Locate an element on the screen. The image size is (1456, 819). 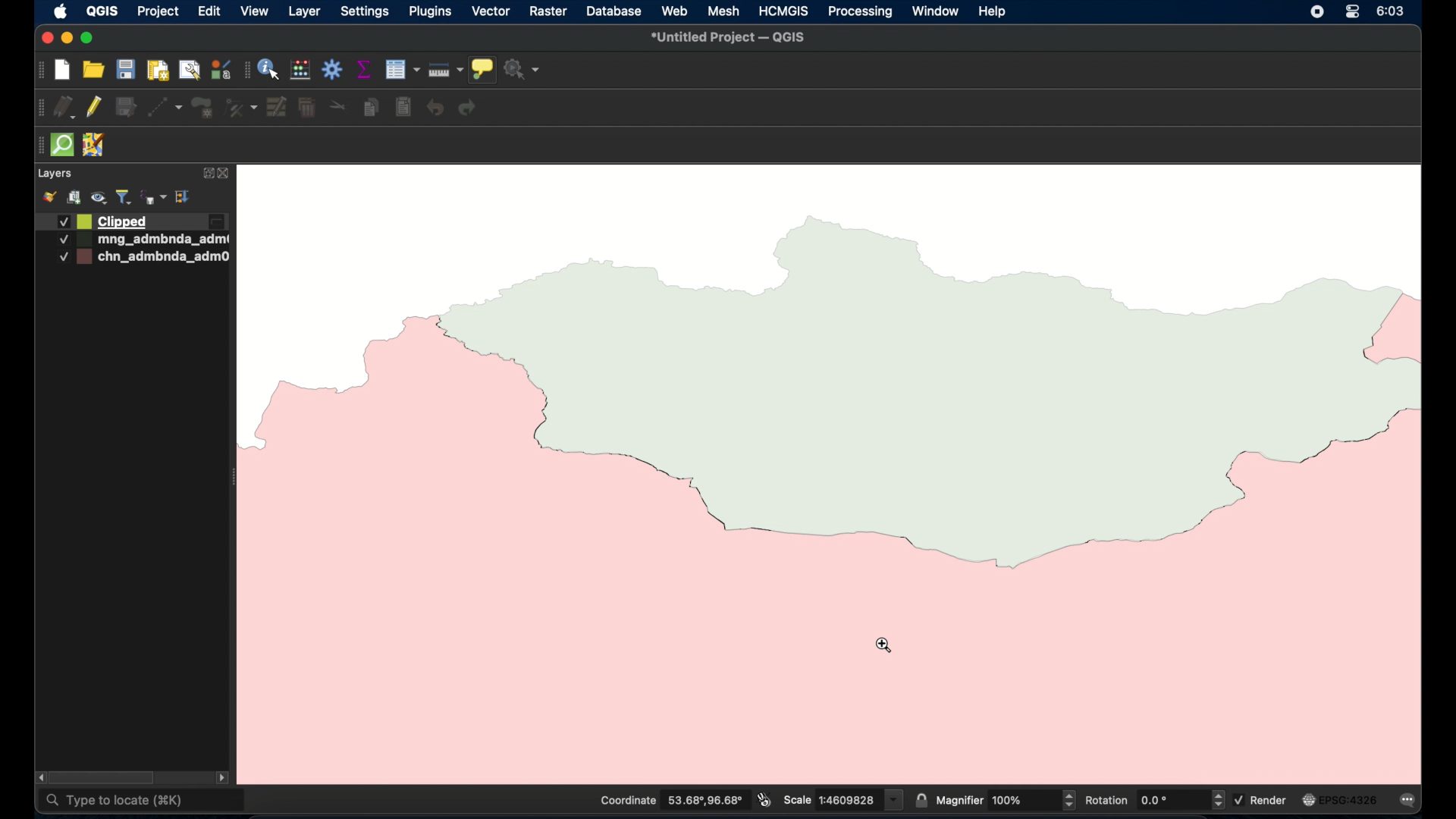
screen recorder icon is located at coordinates (1316, 11).